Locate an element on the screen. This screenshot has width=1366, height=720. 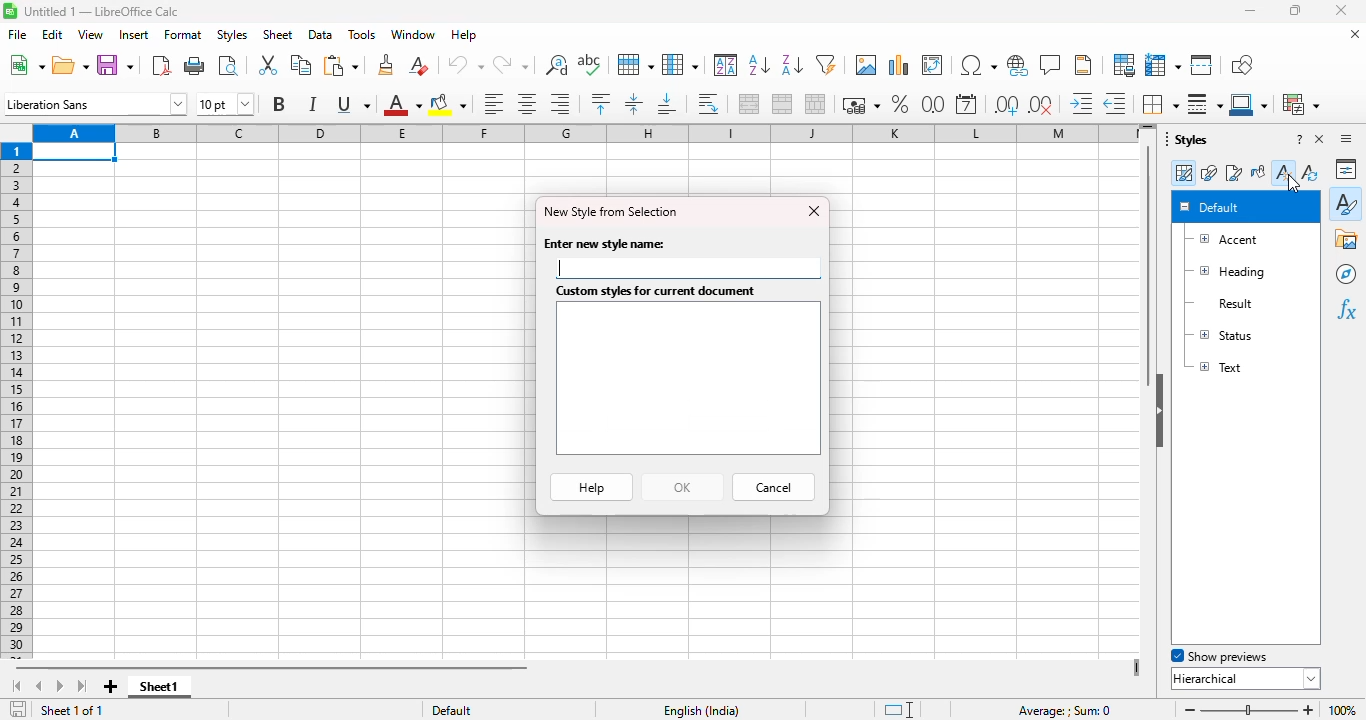
styles is located at coordinates (1187, 138).